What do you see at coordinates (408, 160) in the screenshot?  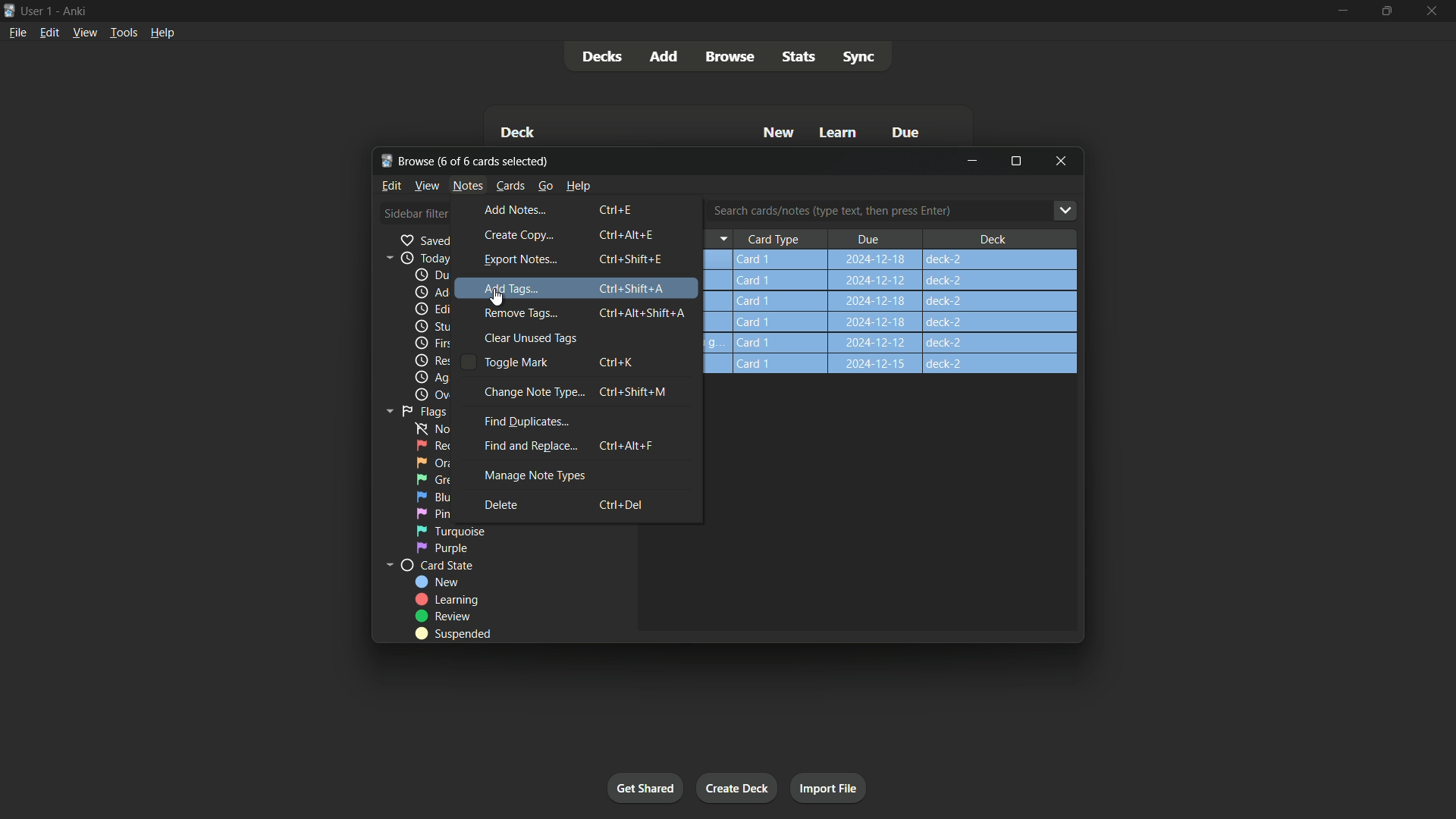 I see `Browse` at bounding box center [408, 160].